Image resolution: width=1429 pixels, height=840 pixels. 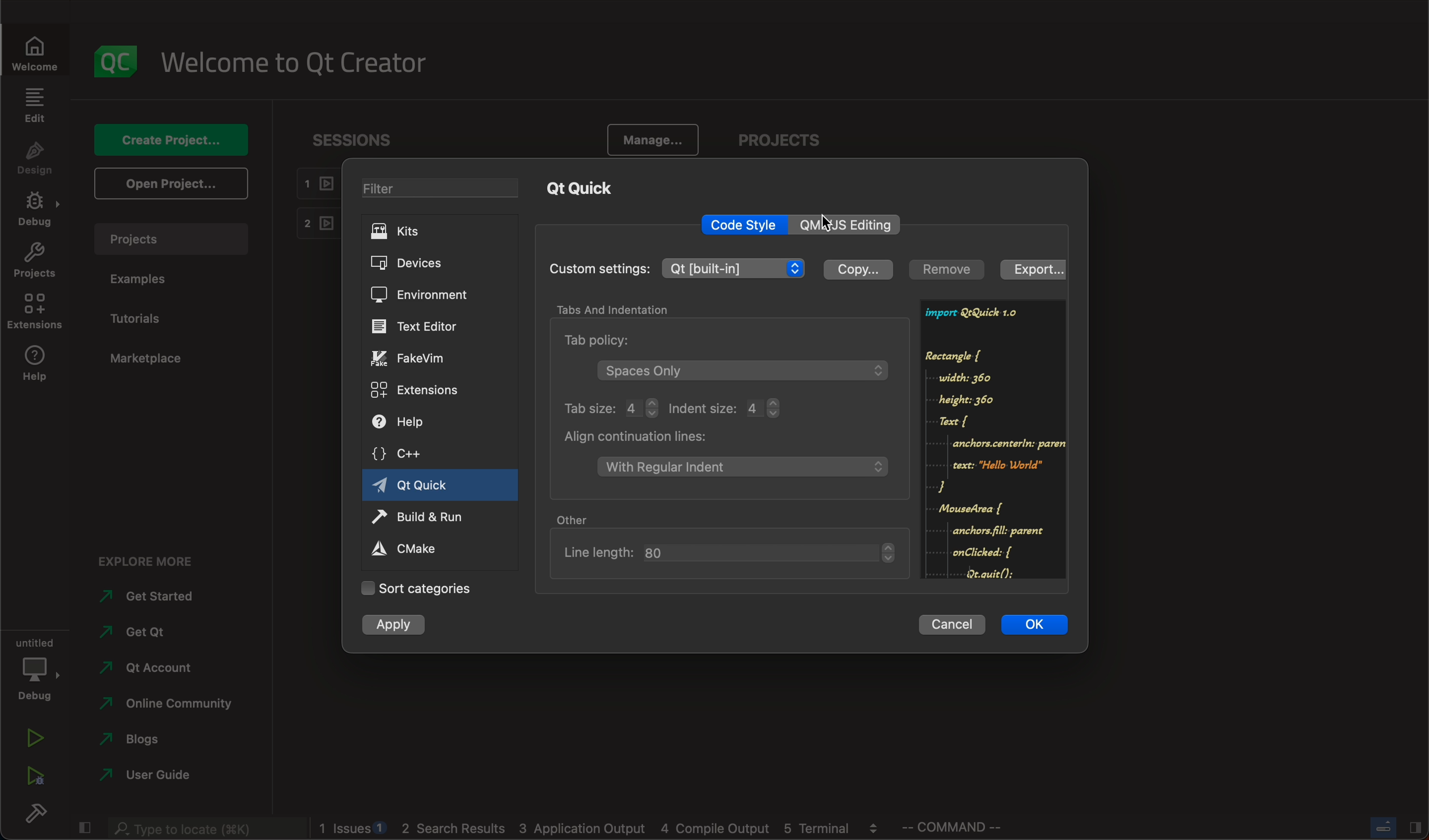 I want to click on close slide bar, so click(x=84, y=826).